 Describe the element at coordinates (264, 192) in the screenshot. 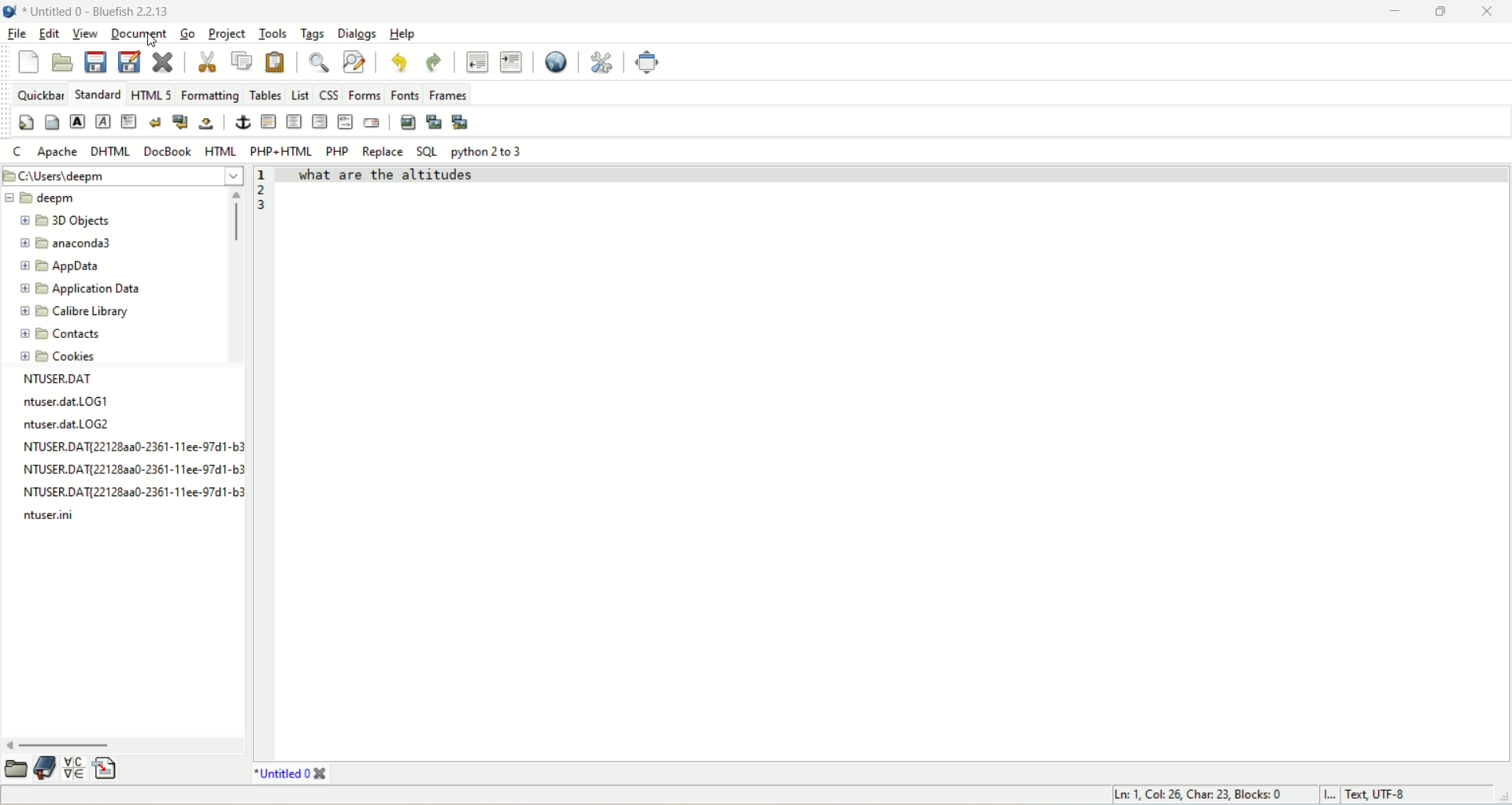

I see `line number` at that location.